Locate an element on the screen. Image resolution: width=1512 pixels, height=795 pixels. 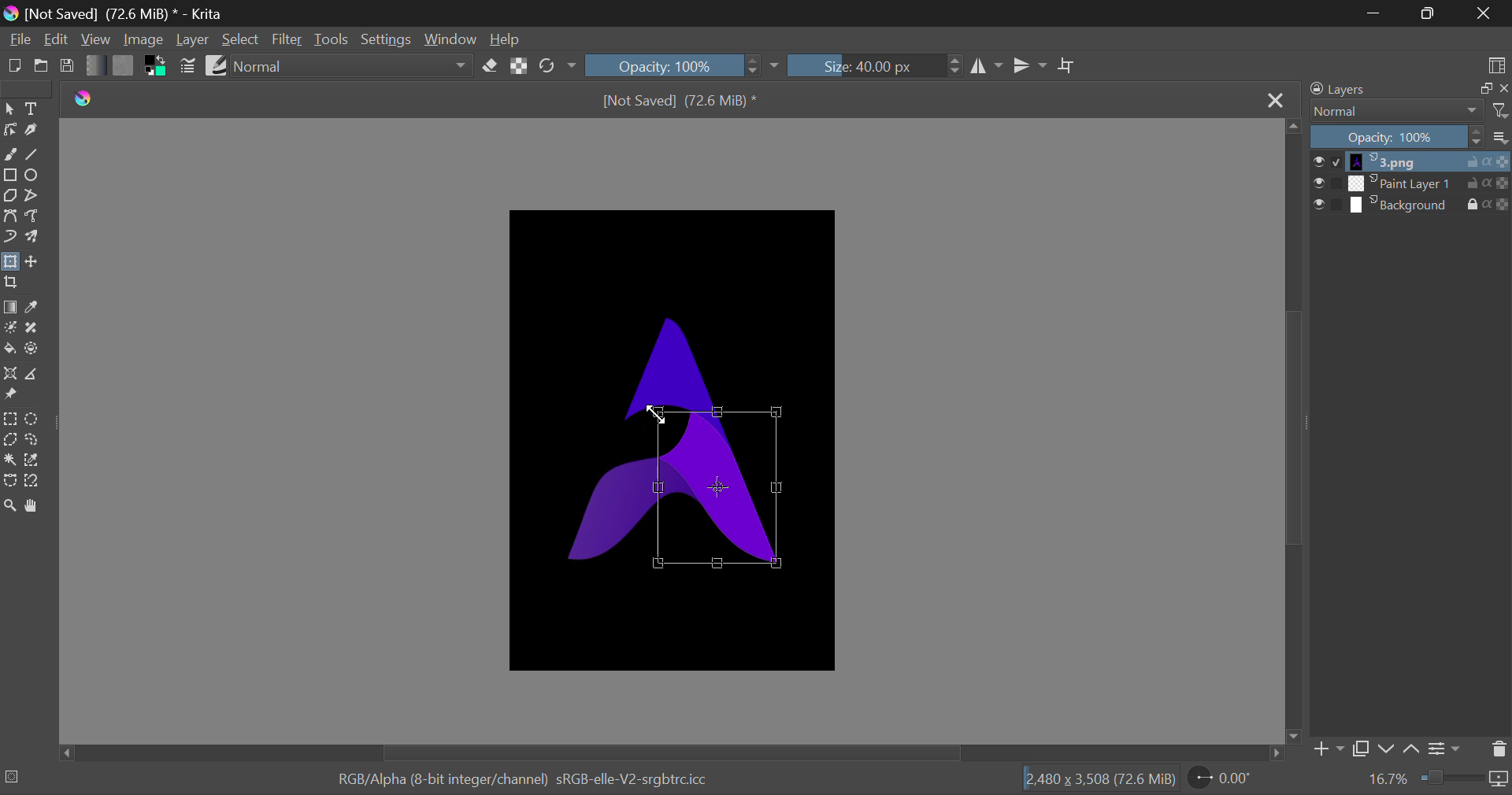
[2.480 x 3,508 (71.4 MiB) is located at coordinates (1102, 780).